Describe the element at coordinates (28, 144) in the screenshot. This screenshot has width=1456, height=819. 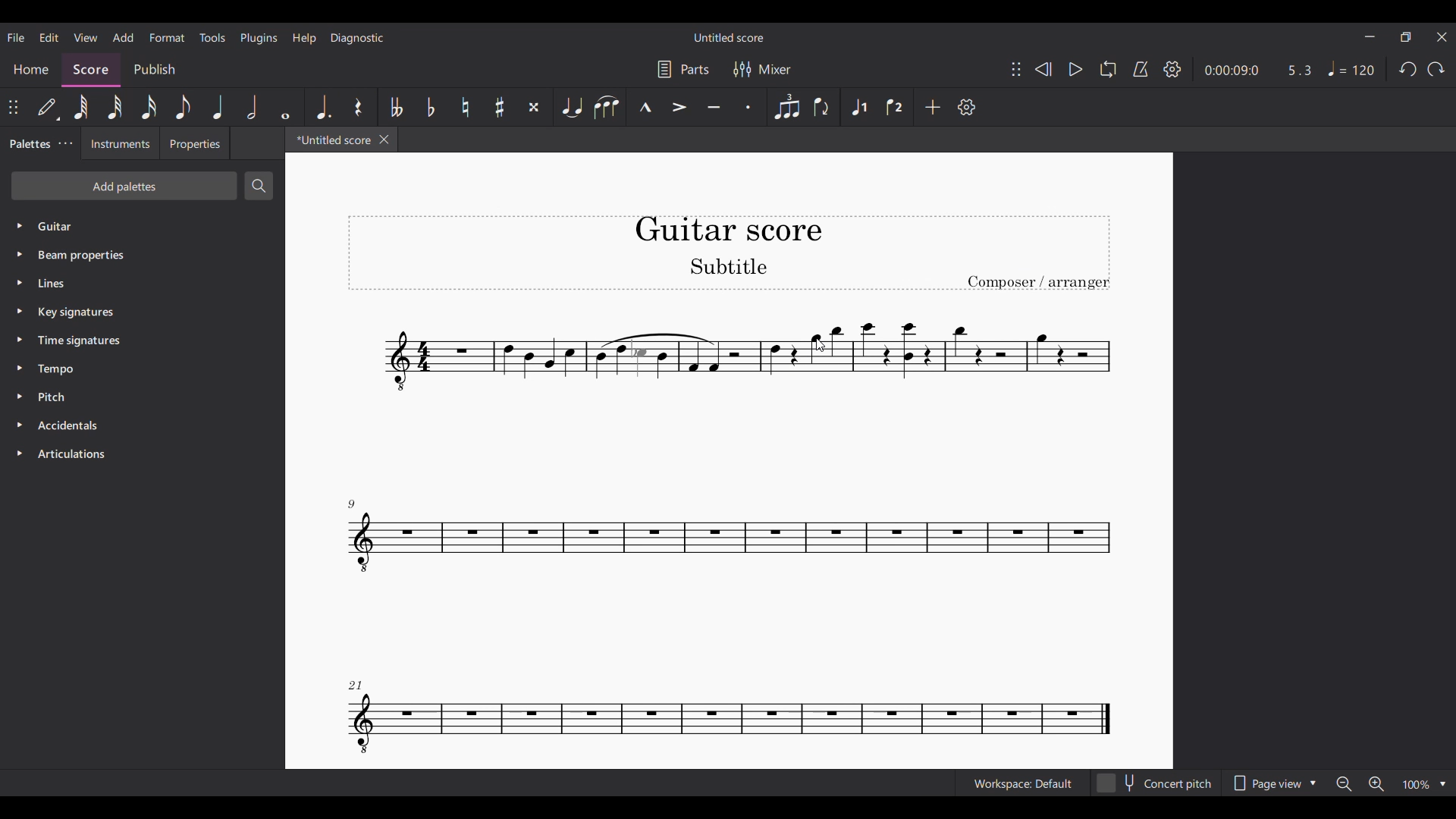
I see `Palettes, current tab` at that location.